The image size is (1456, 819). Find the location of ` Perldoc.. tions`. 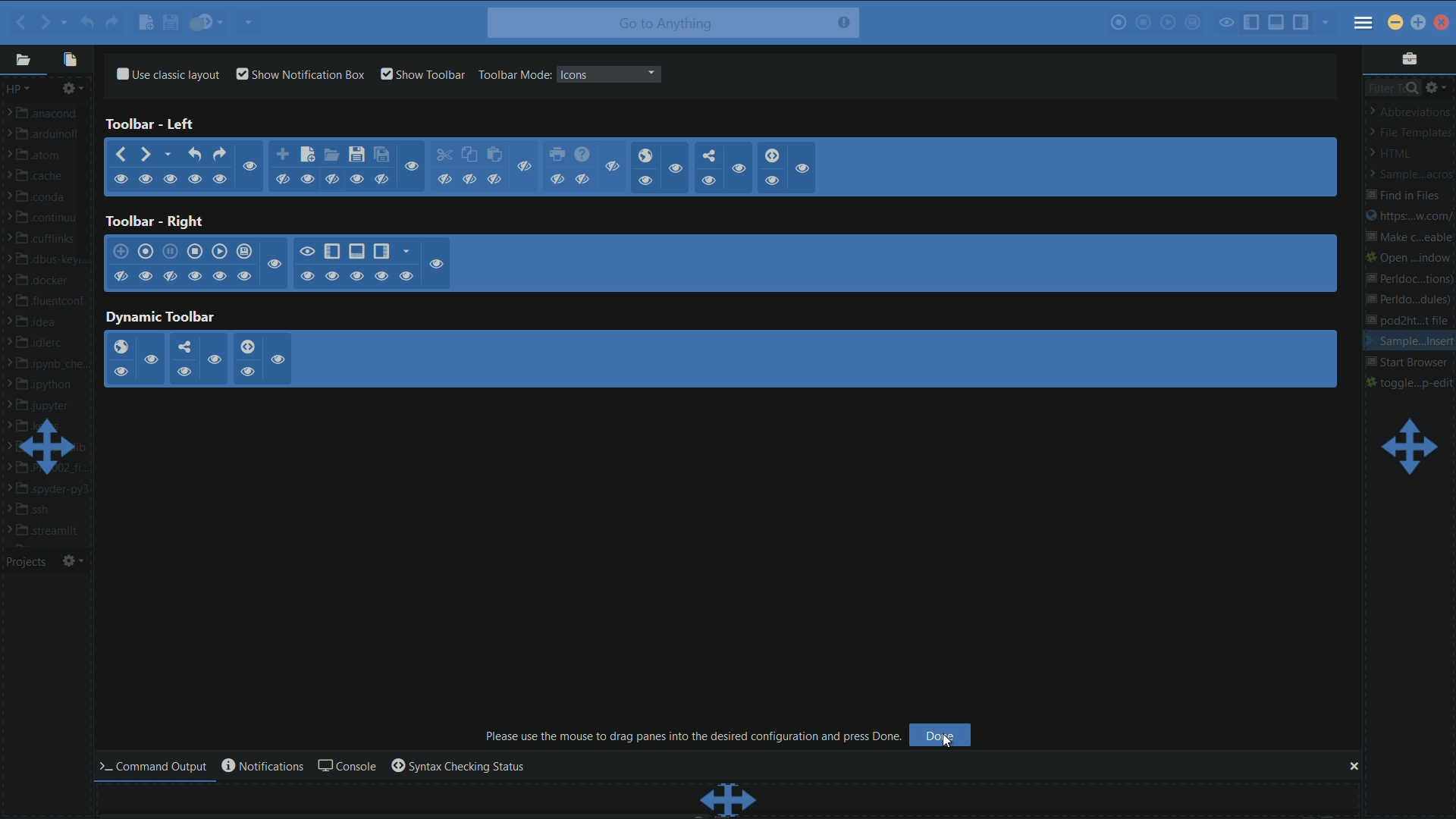

 Perldoc.. tions is located at coordinates (1409, 277).